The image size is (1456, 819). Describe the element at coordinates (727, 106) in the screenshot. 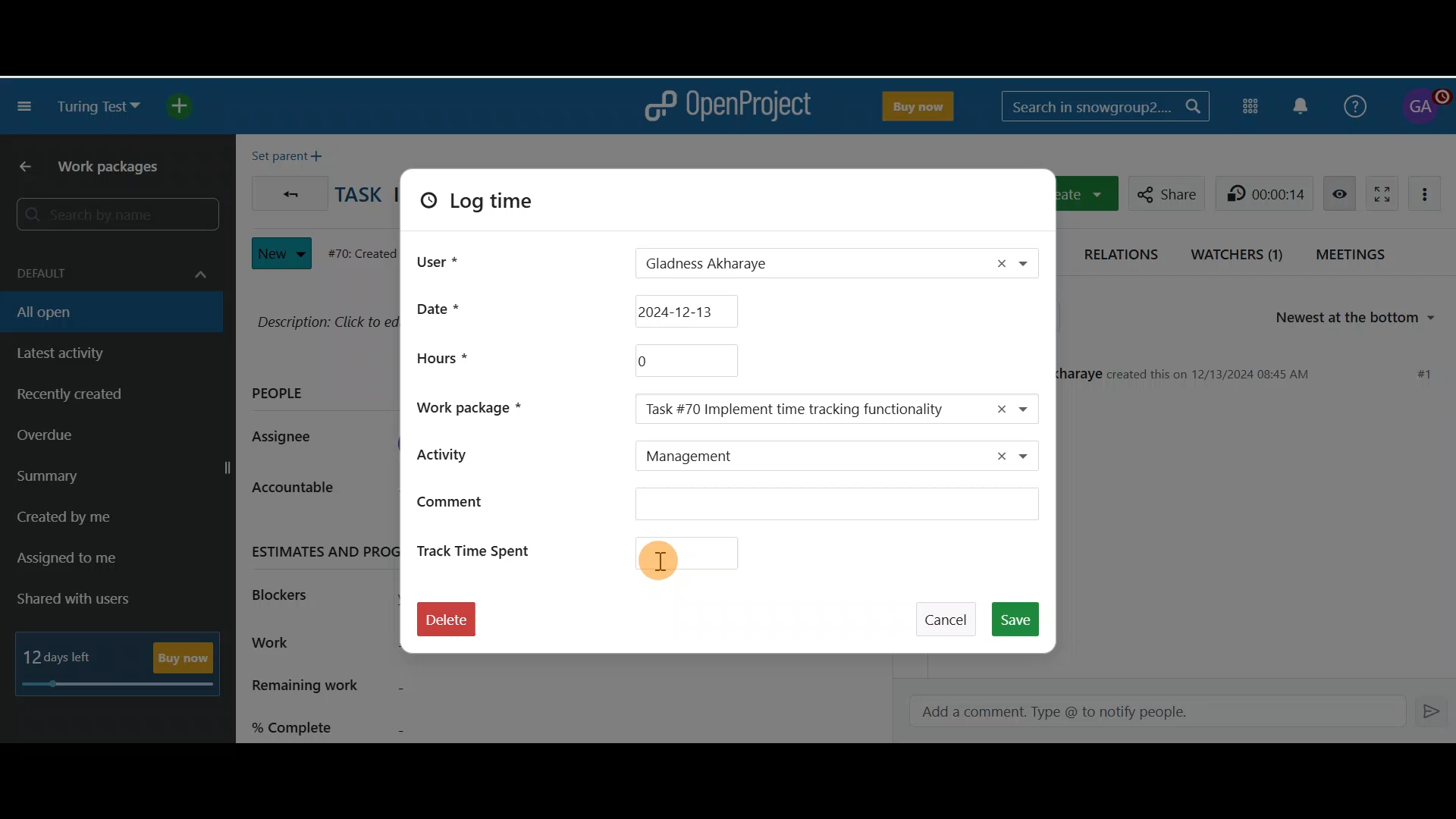

I see `OpenProject` at that location.